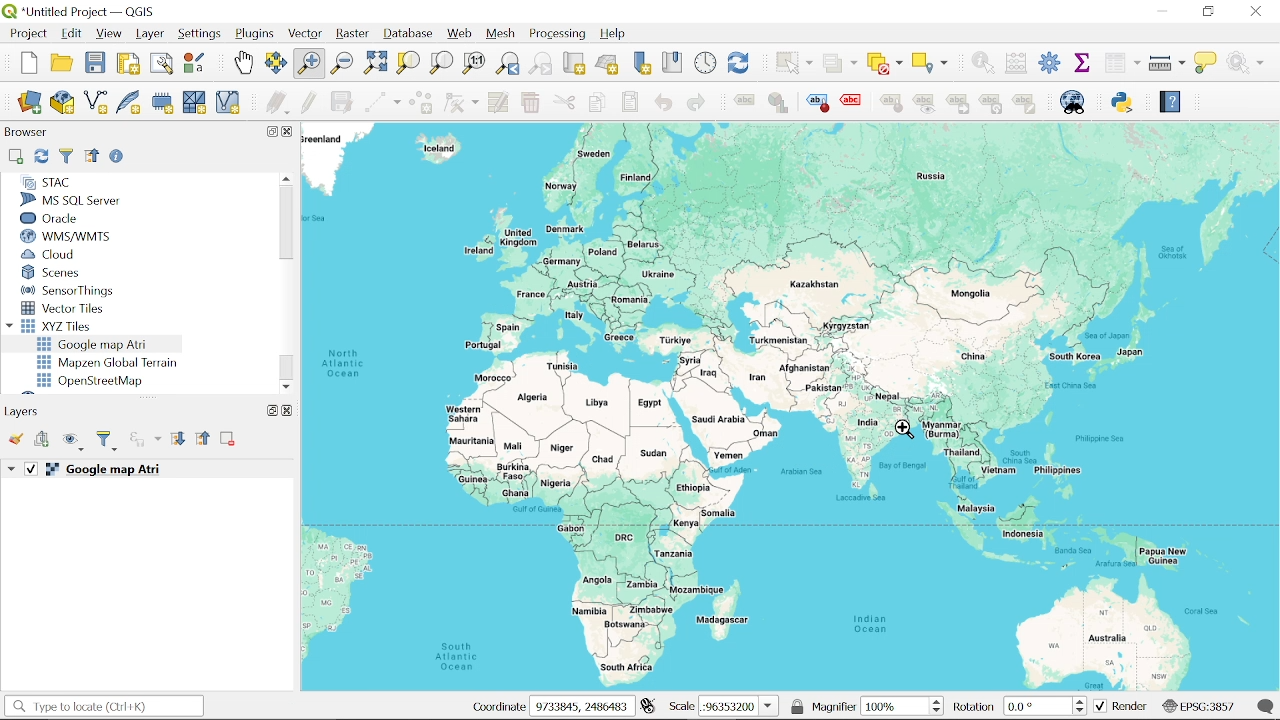 The width and height of the screenshot is (1280, 720). I want to click on New project, so click(30, 63).